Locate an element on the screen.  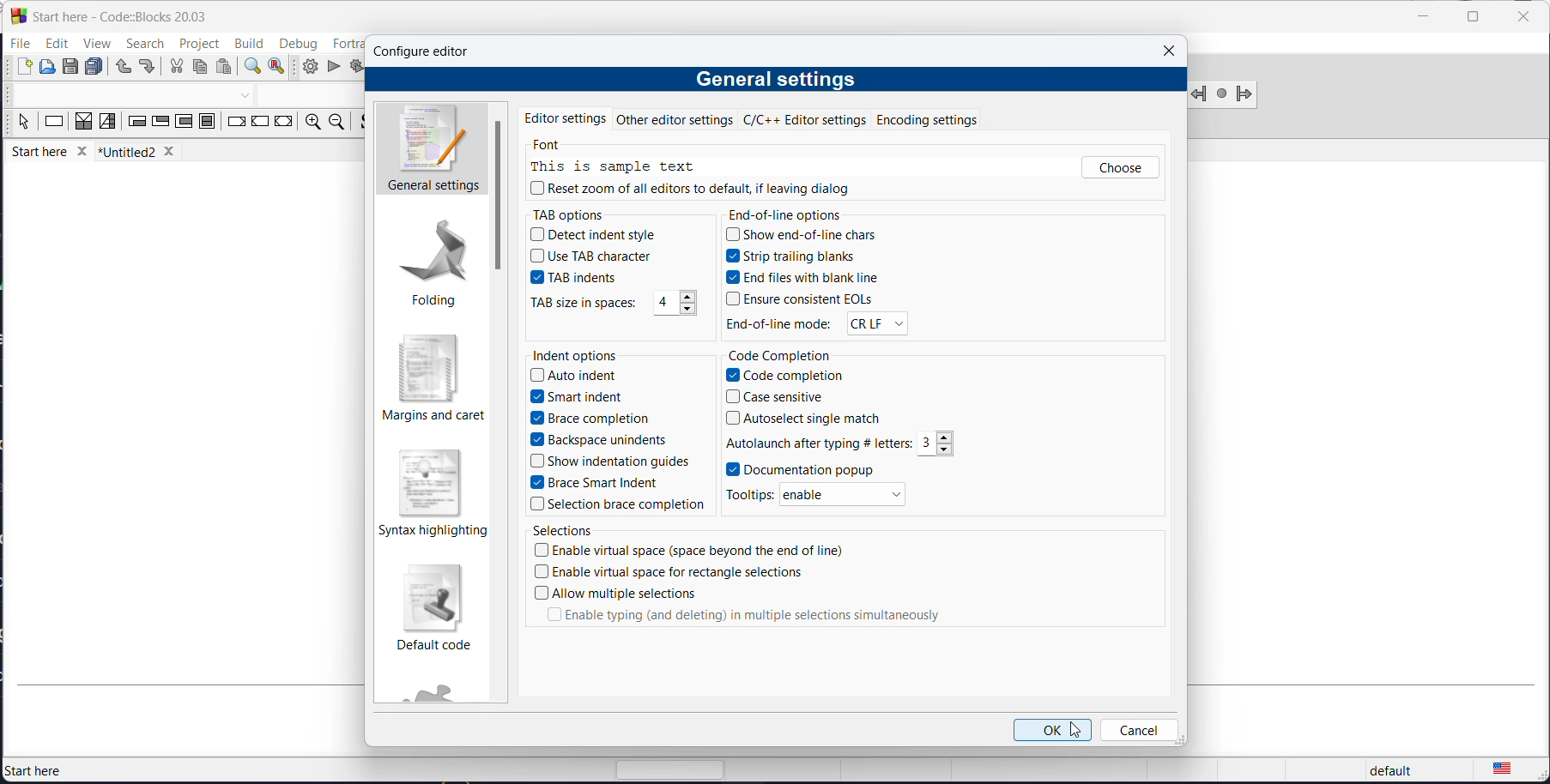
save is located at coordinates (72, 67).